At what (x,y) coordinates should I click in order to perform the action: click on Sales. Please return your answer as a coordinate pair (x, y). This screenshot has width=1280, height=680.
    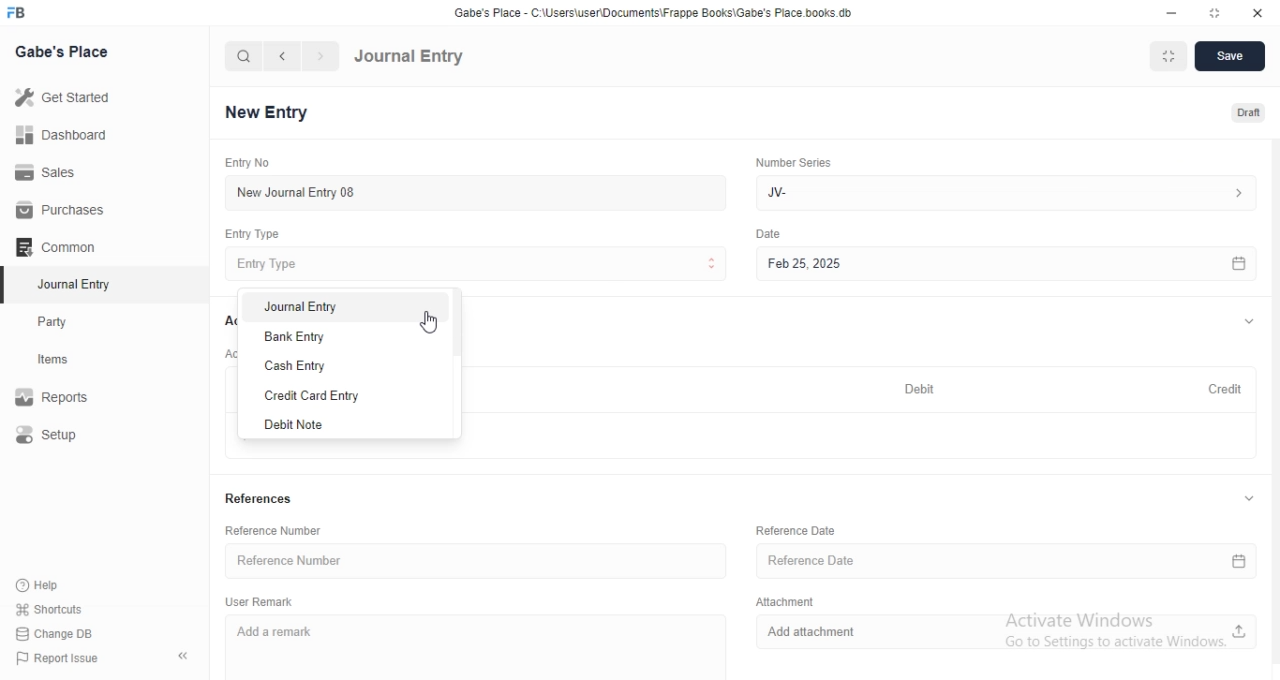
    Looking at the image, I should click on (57, 173).